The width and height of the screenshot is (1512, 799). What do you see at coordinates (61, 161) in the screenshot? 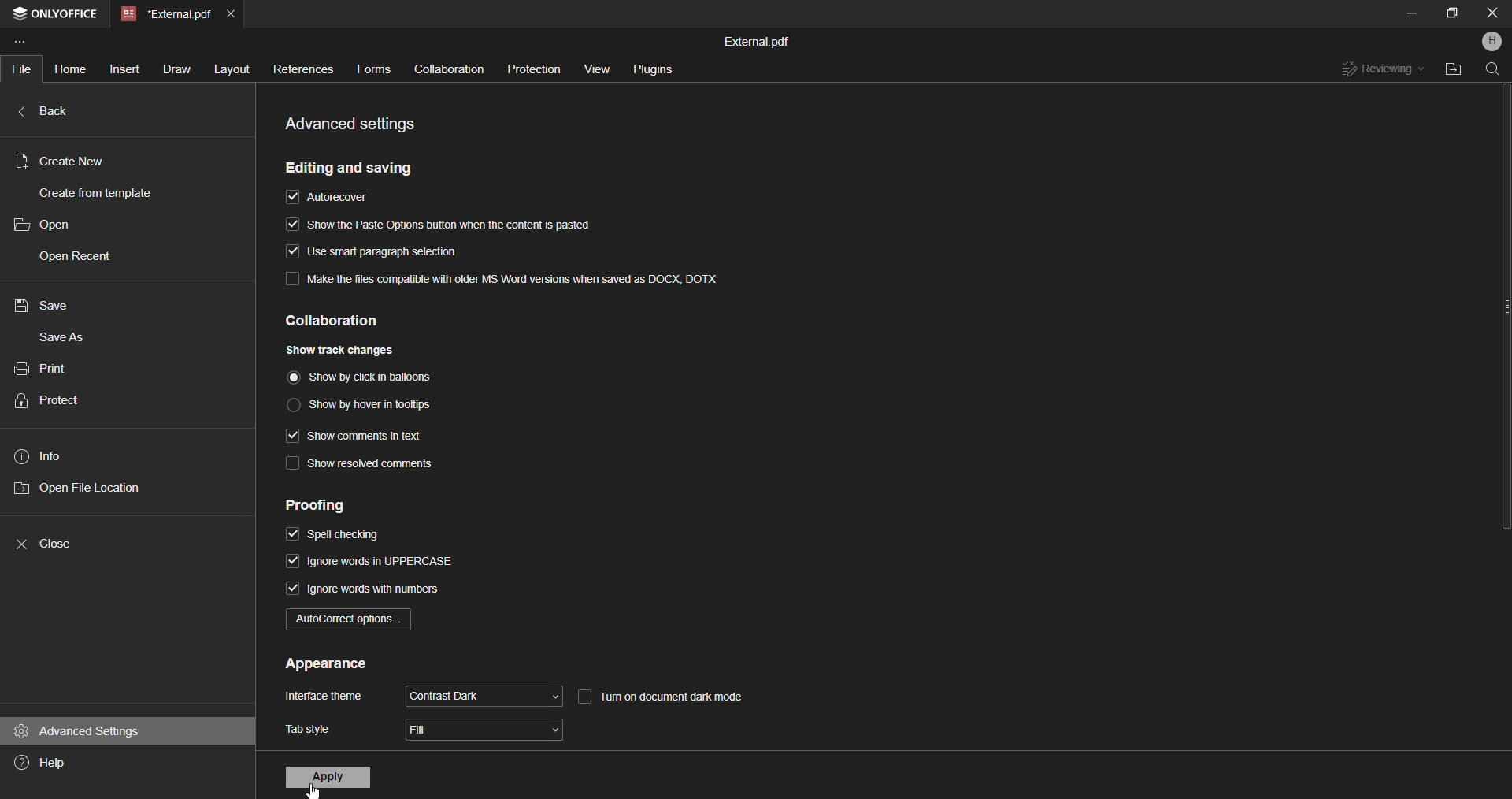
I see `Create new` at bounding box center [61, 161].